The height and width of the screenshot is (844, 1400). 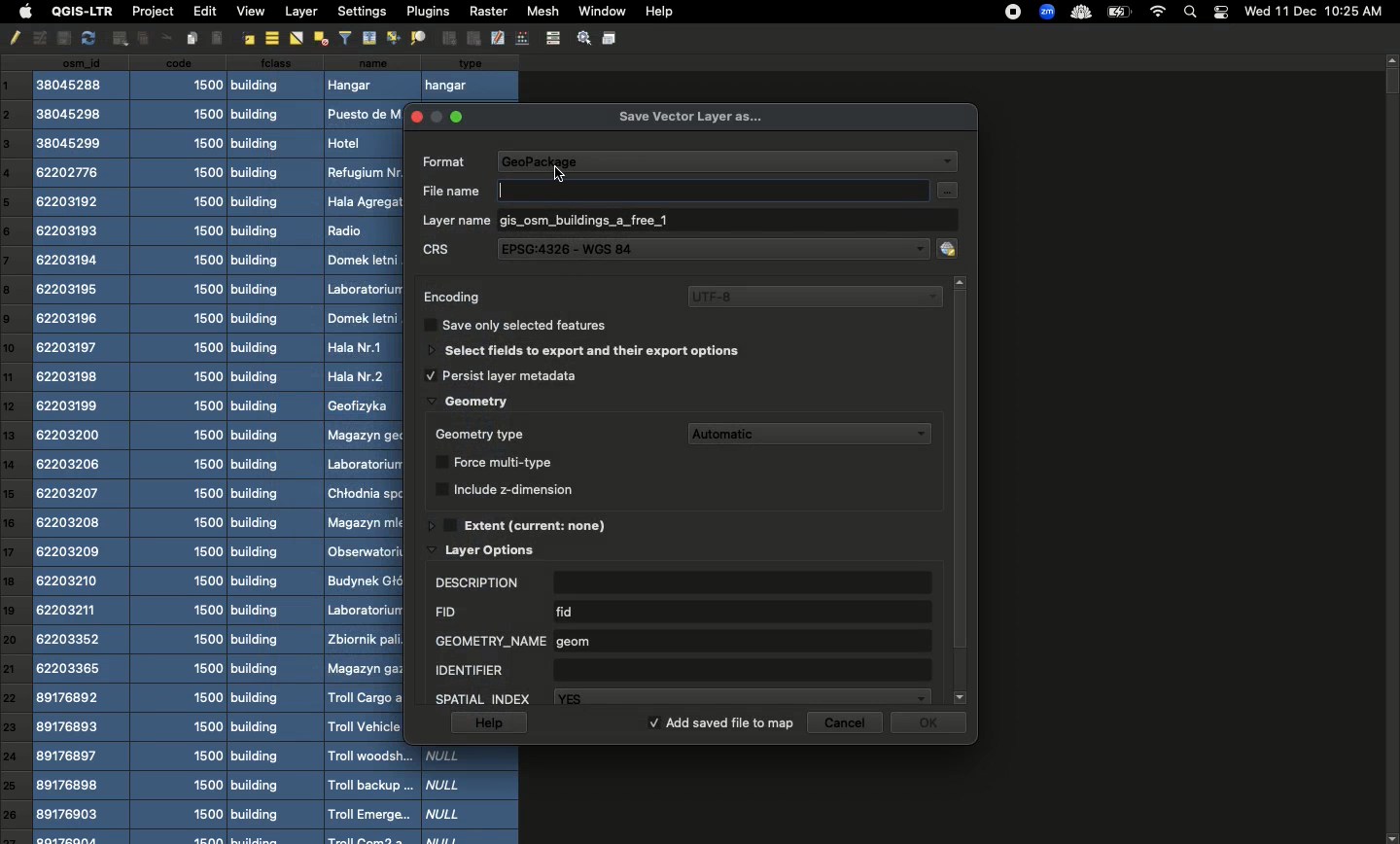 What do you see at coordinates (687, 163) in the screenshot?
I see `Format` at bounding box center [687, 163].